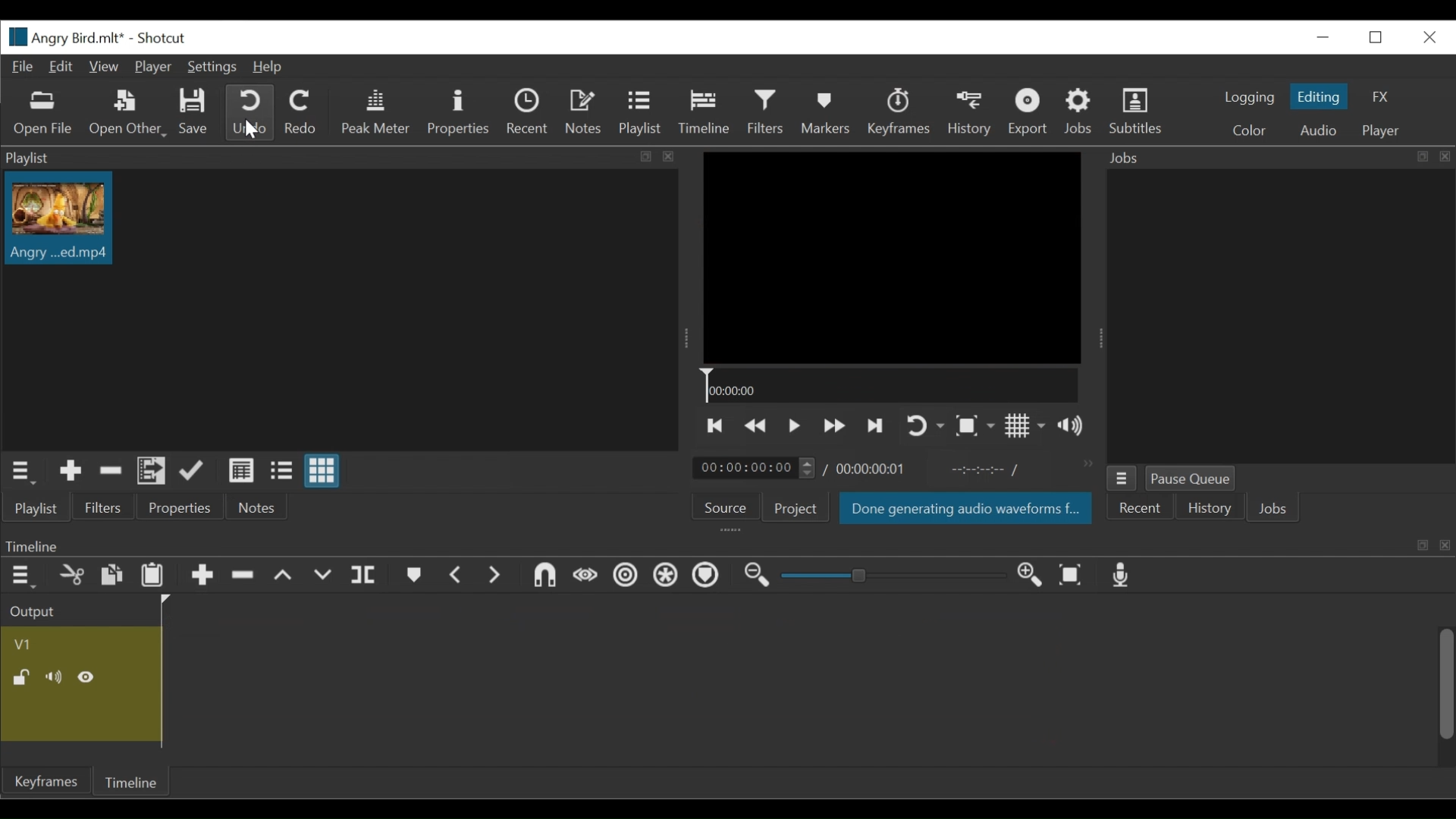  I want to click on Jobs, so click(1078, 111).